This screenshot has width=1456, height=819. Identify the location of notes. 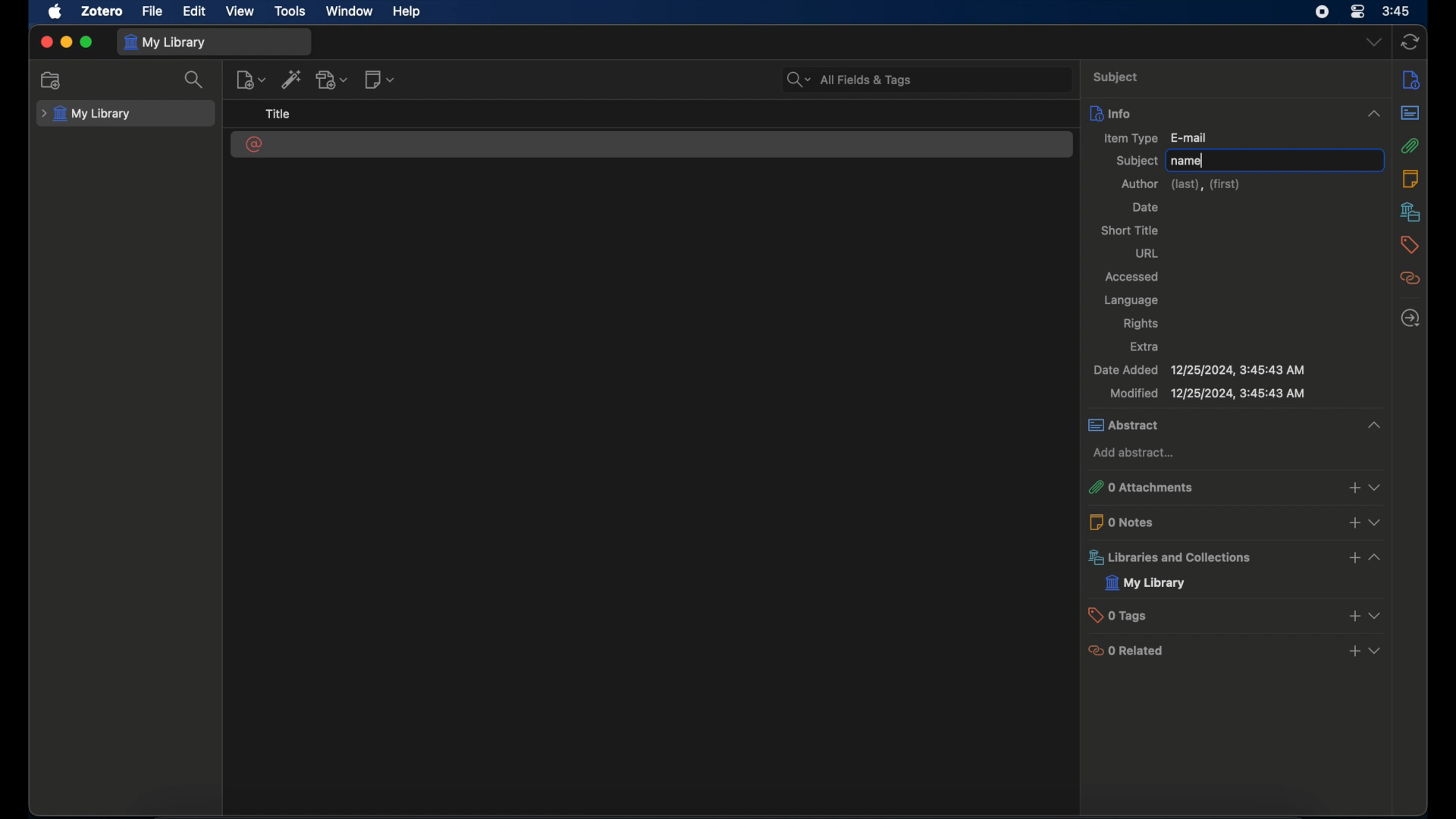
(1410, 179).